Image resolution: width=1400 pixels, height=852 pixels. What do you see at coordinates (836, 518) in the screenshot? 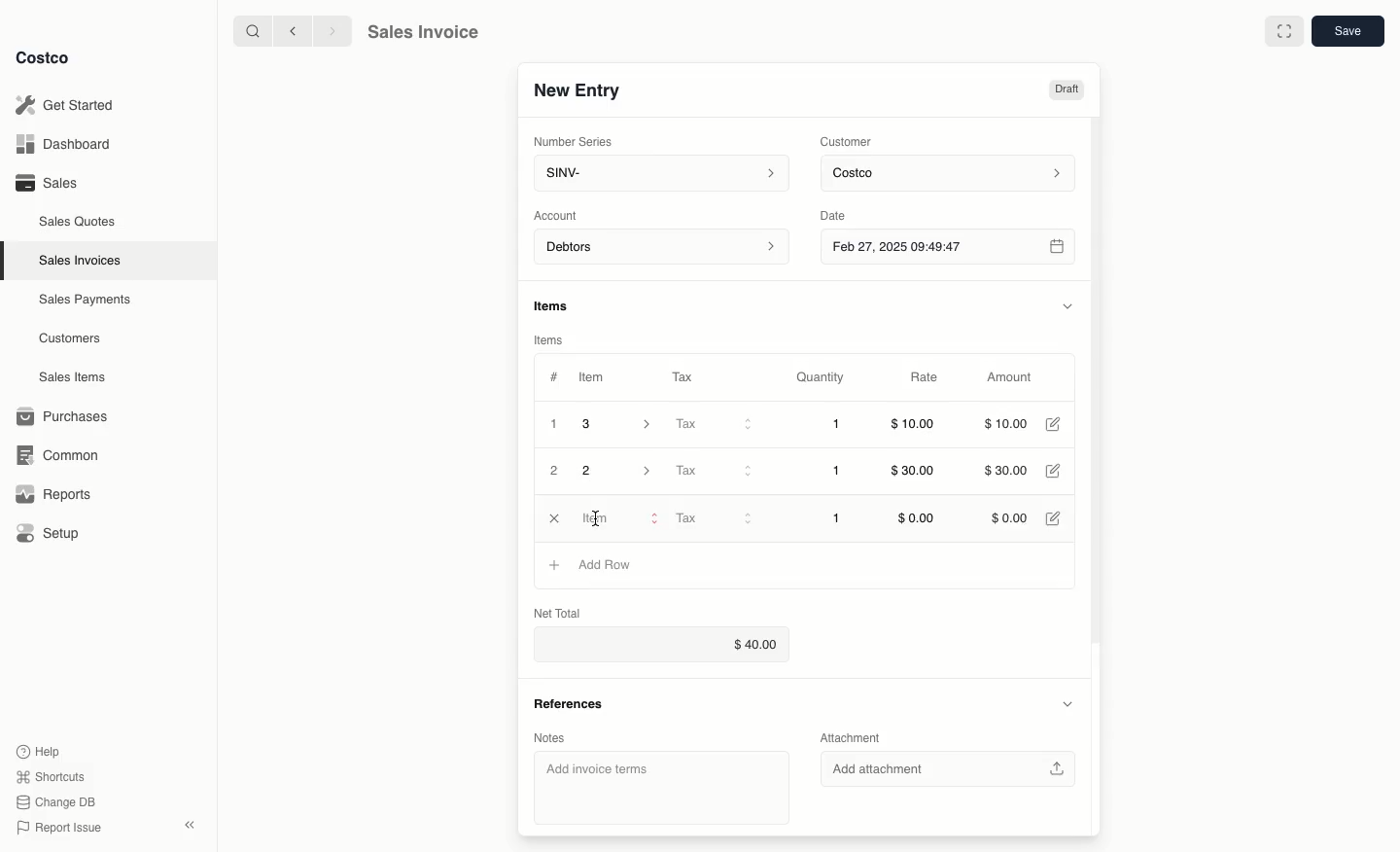
I see `1` at bounding box center [836, 518].